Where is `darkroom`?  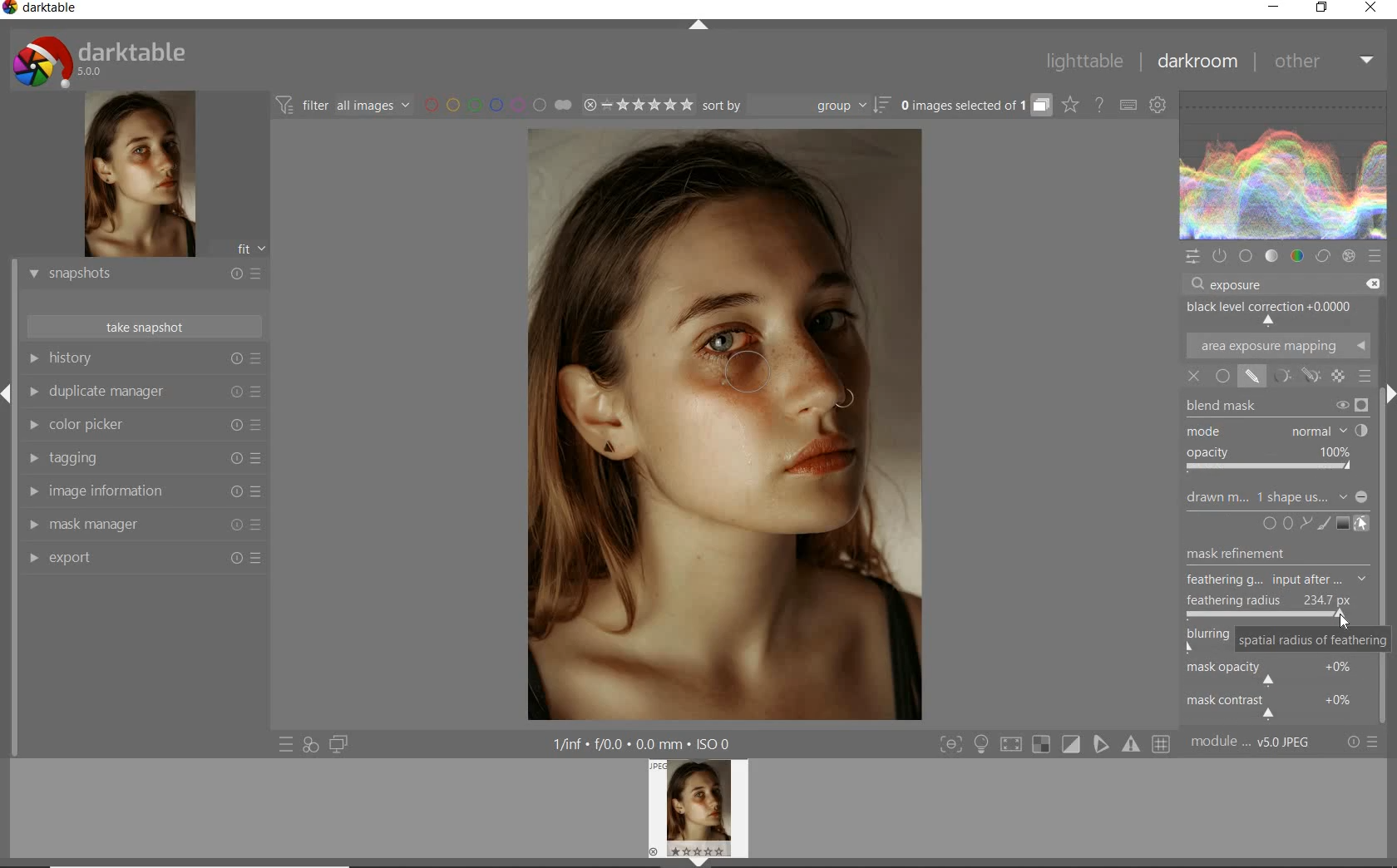
darkroom is located at coordinates (1195, 62).